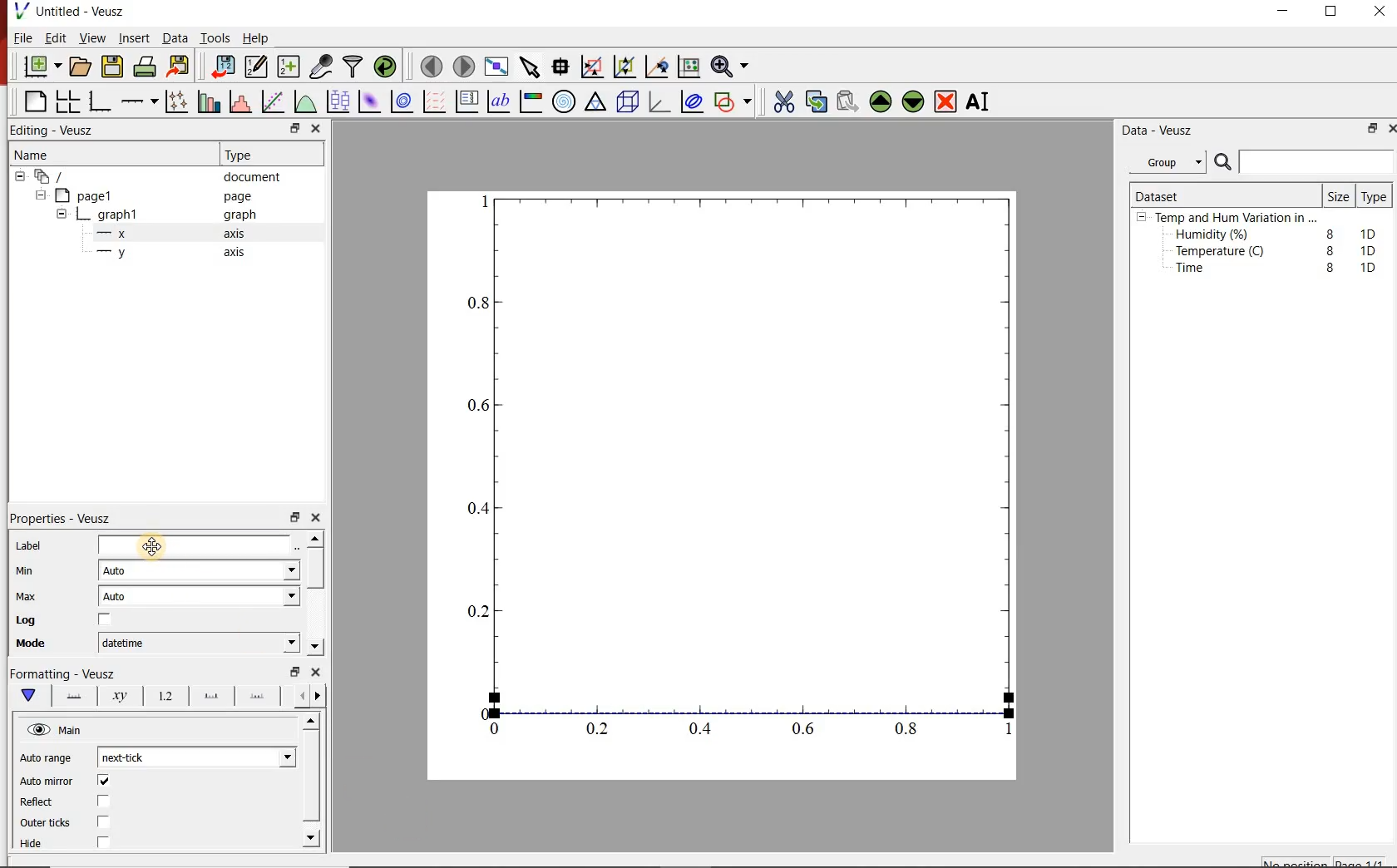 The height and width of the screenshot is (868, 1397). I want to click on close, so click(1380, 12).